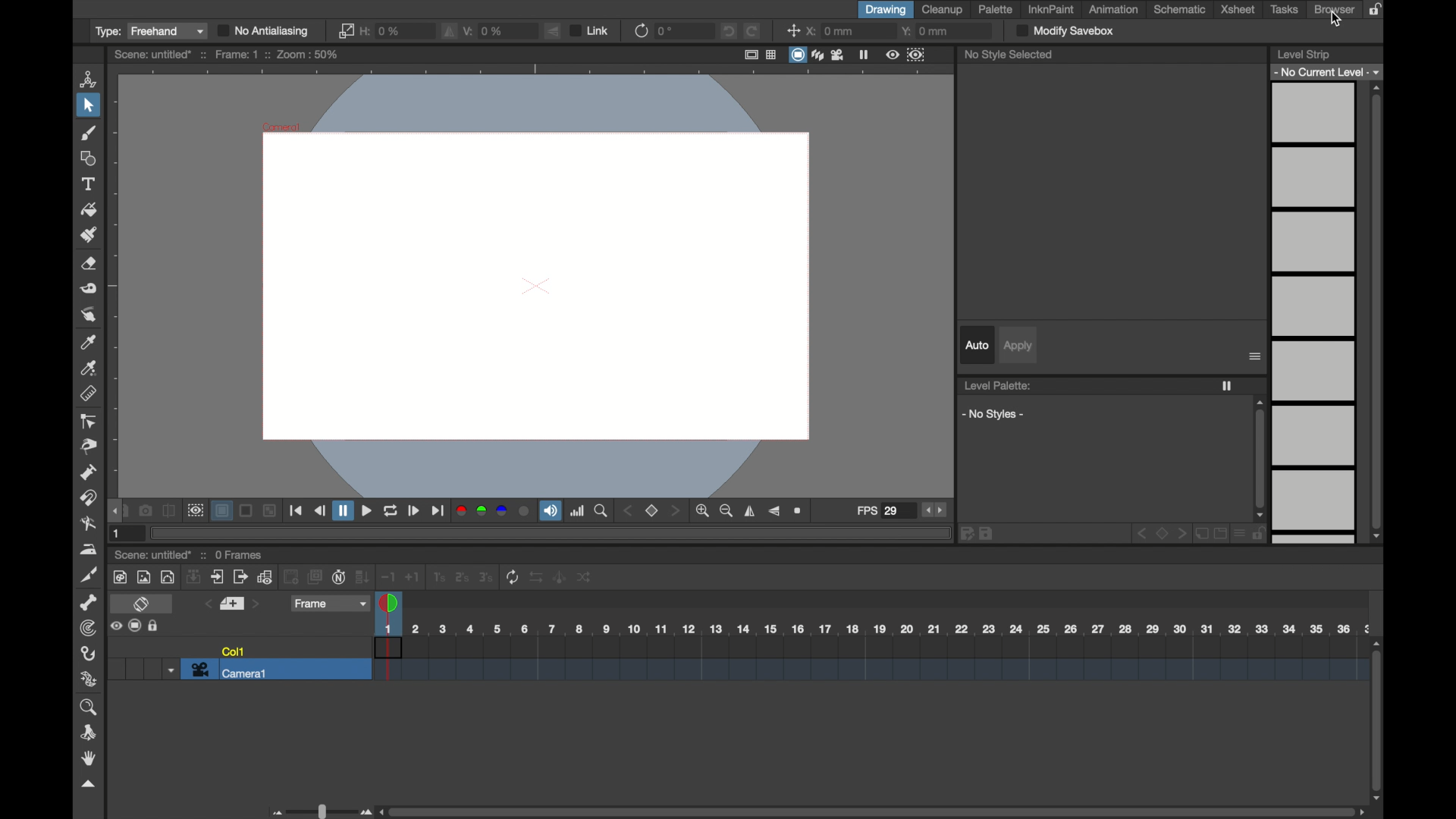  What do you see at coordinates (88, 344) in the screenshot?
I see `color picker tool` at bounding box center [88, 344].